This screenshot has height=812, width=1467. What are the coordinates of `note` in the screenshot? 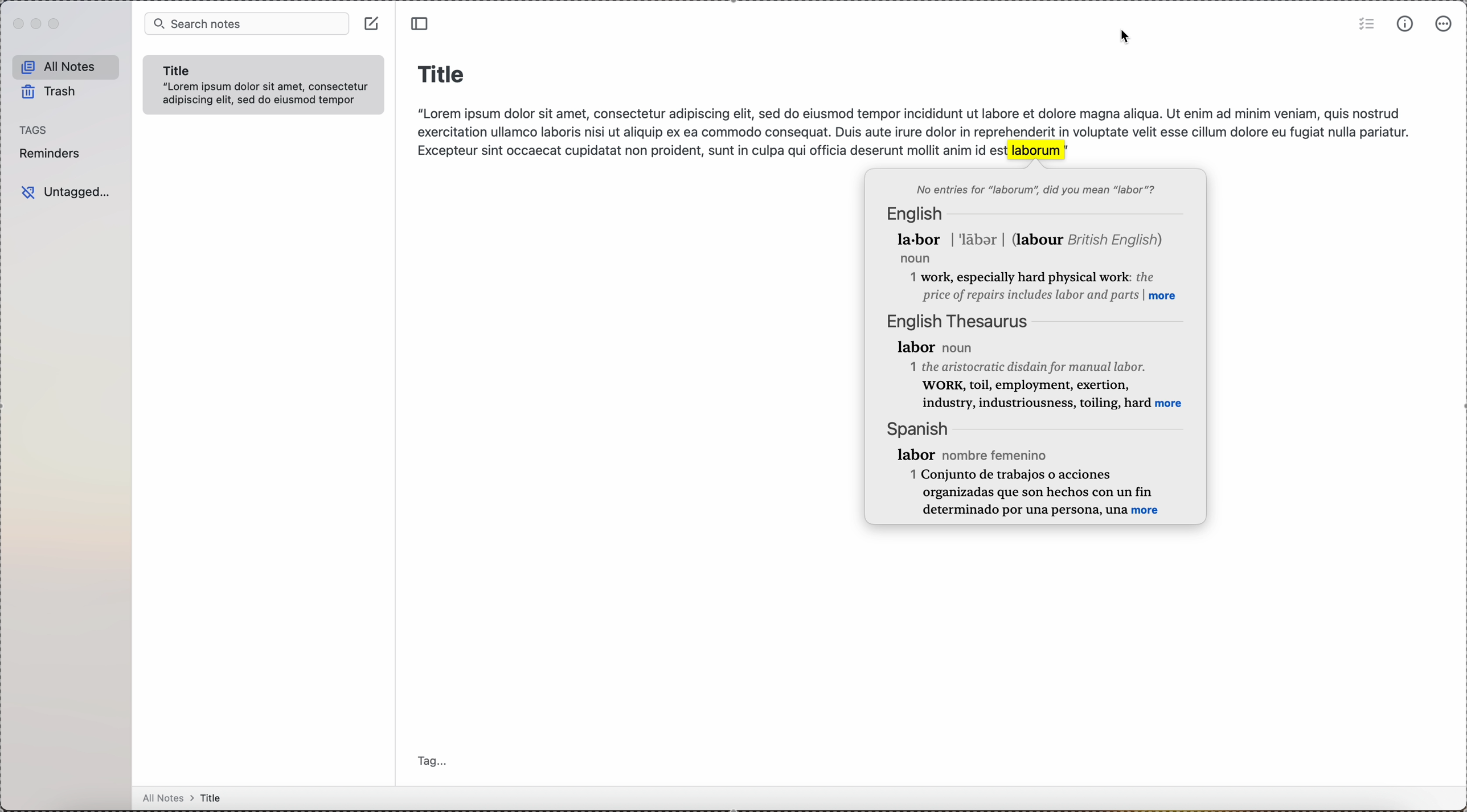 It's located at (1034, 187).